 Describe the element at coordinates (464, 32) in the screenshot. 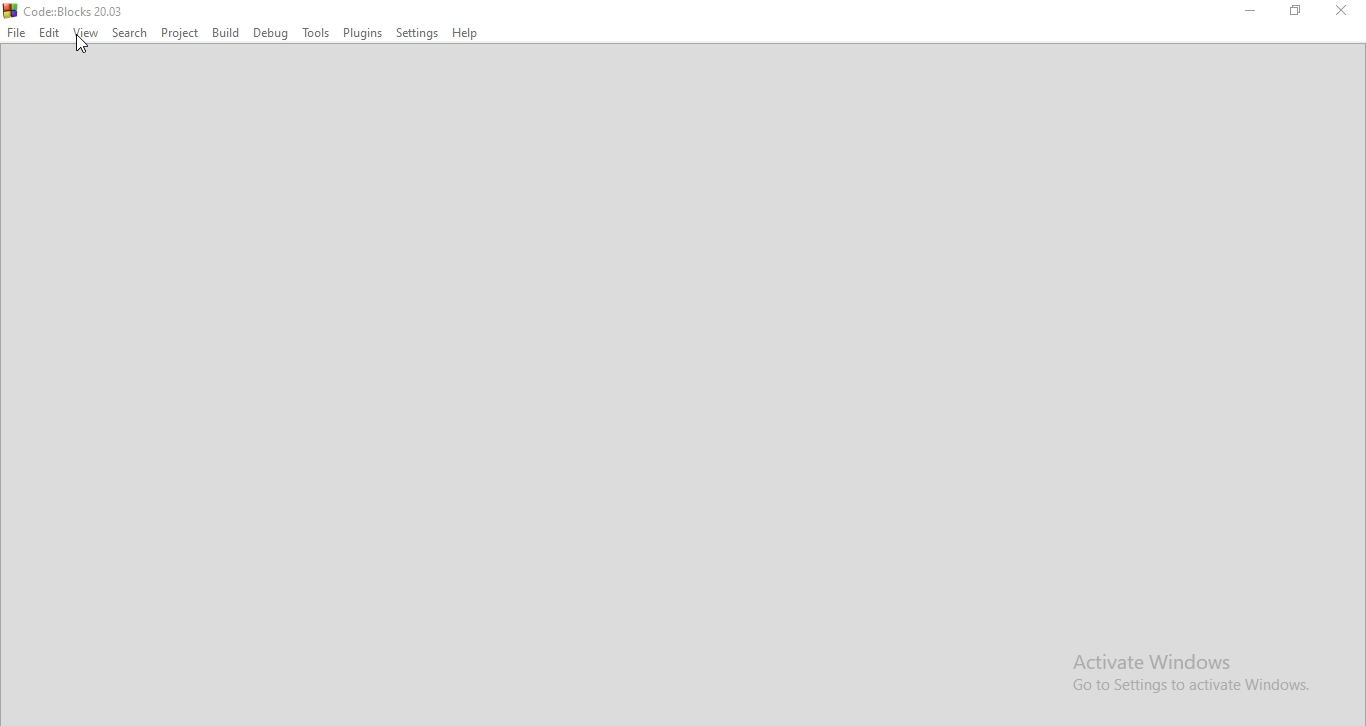

I see `Help` at that location.